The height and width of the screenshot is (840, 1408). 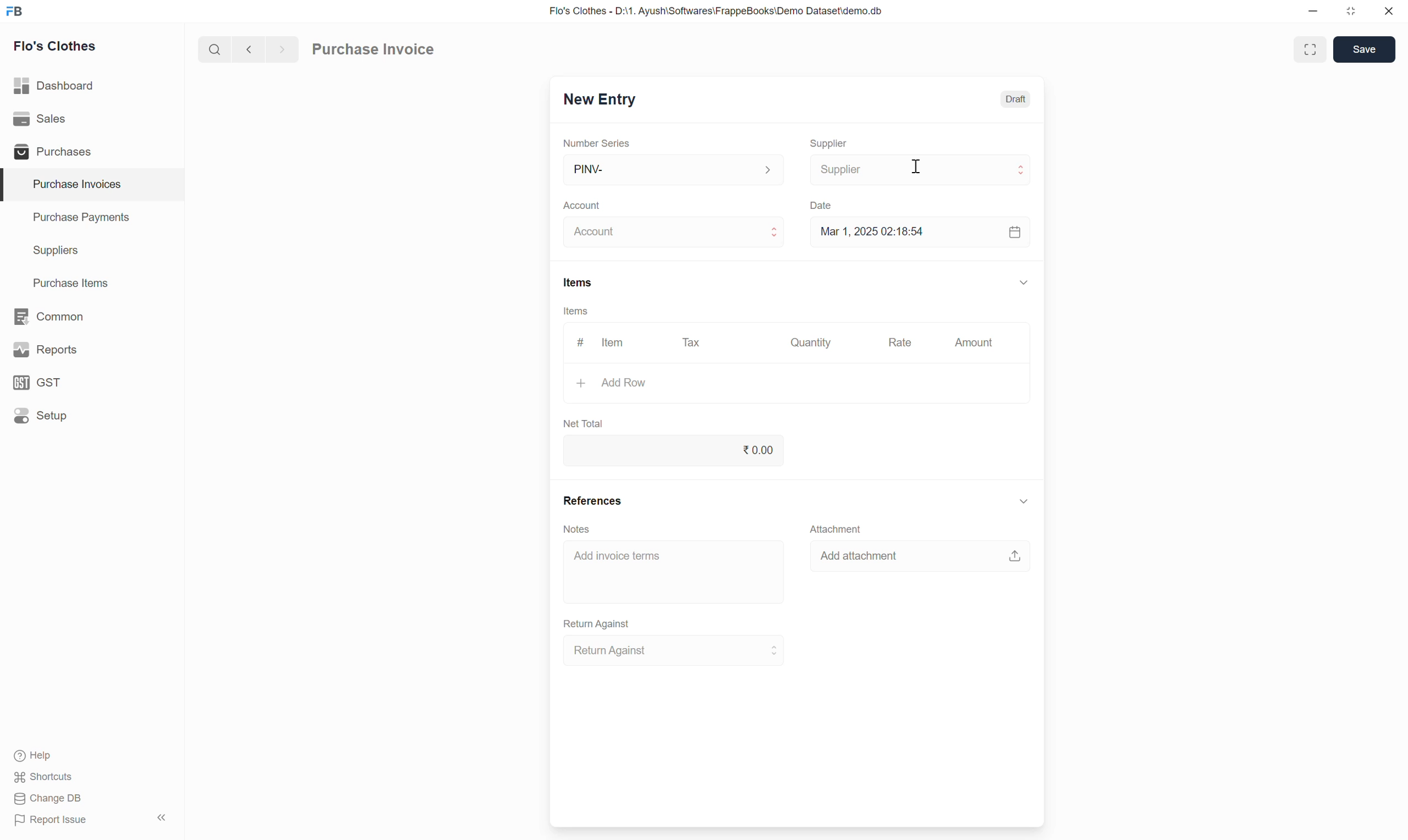 What do you see at coordinates (593, 501) in the screenshot?
I see `References` at bounding box center [593, 501].